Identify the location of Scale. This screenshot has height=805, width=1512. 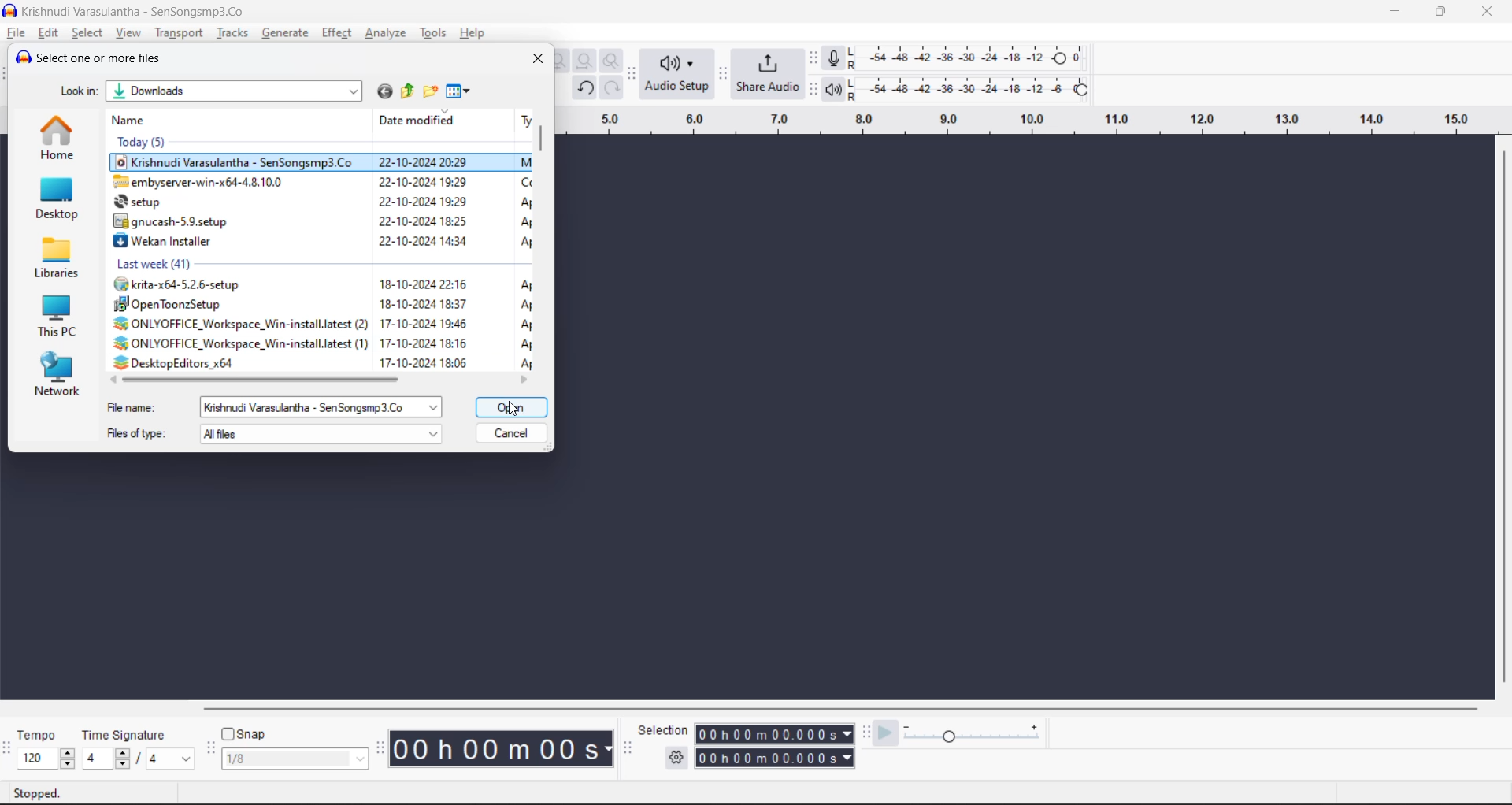
(1030, 139).